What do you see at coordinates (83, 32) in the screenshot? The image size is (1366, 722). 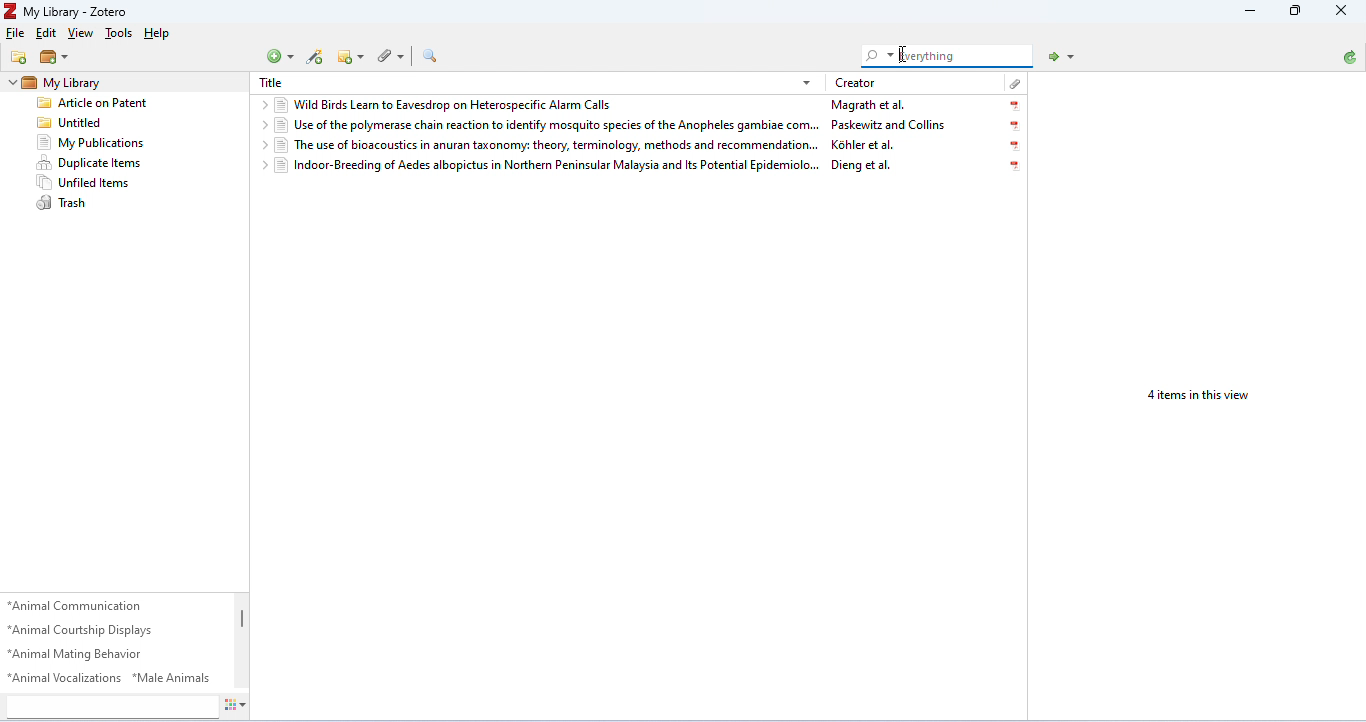 I see `View` at bounding box center [83, 32].